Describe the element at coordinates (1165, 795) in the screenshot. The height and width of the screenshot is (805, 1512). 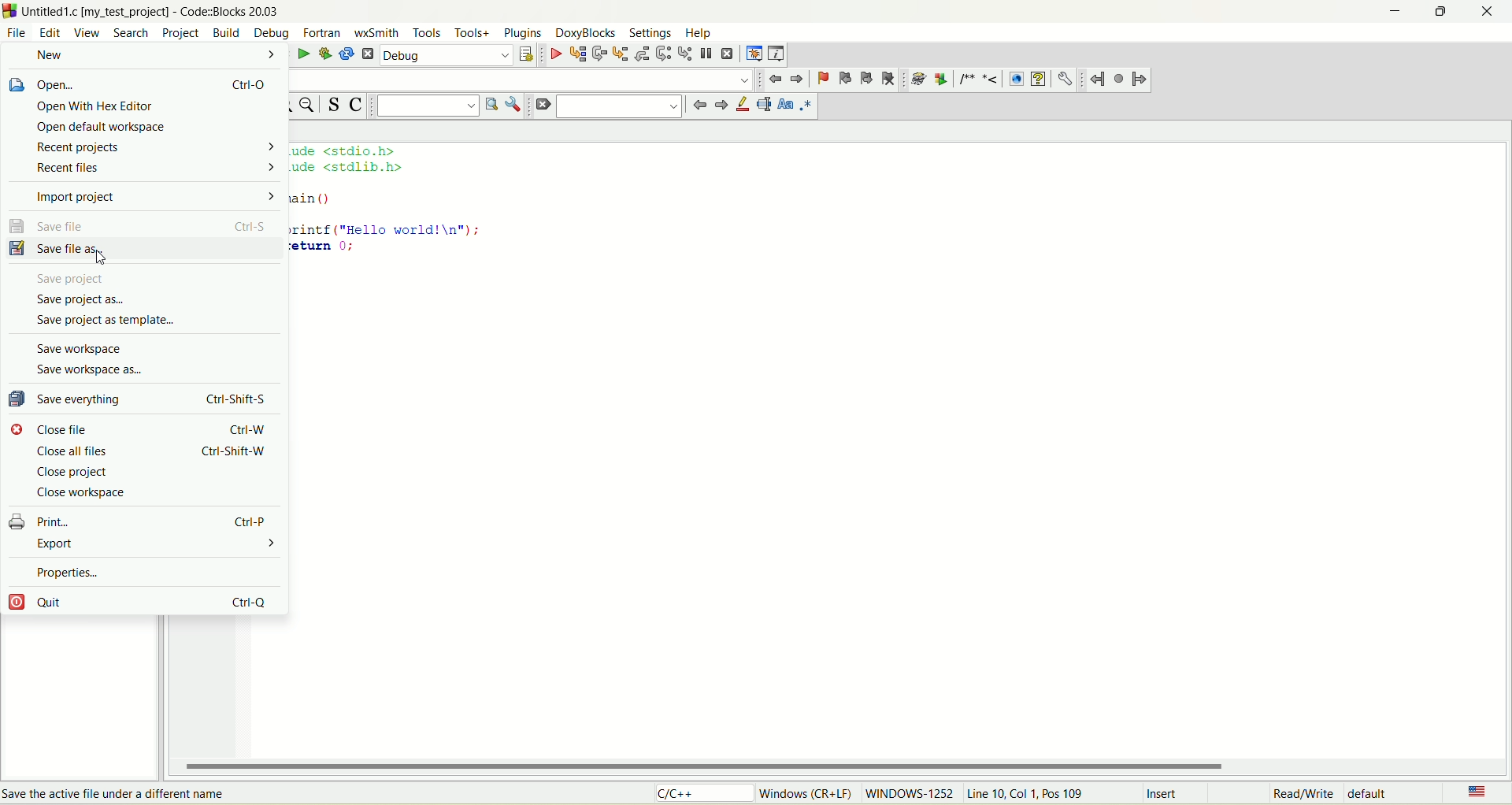
I see `insert` at that location.